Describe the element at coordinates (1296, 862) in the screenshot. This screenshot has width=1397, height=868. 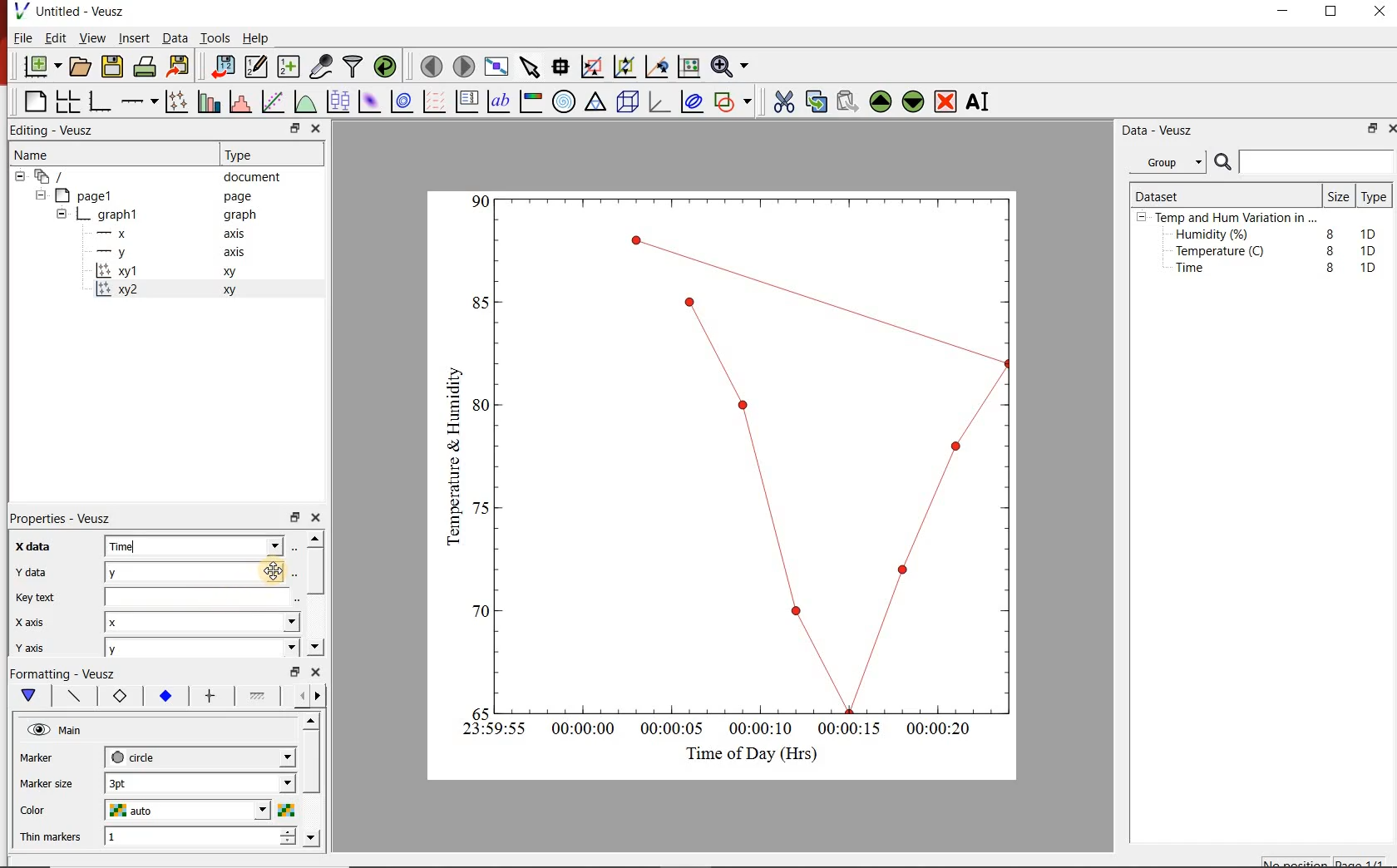
I see `No position` at that location.